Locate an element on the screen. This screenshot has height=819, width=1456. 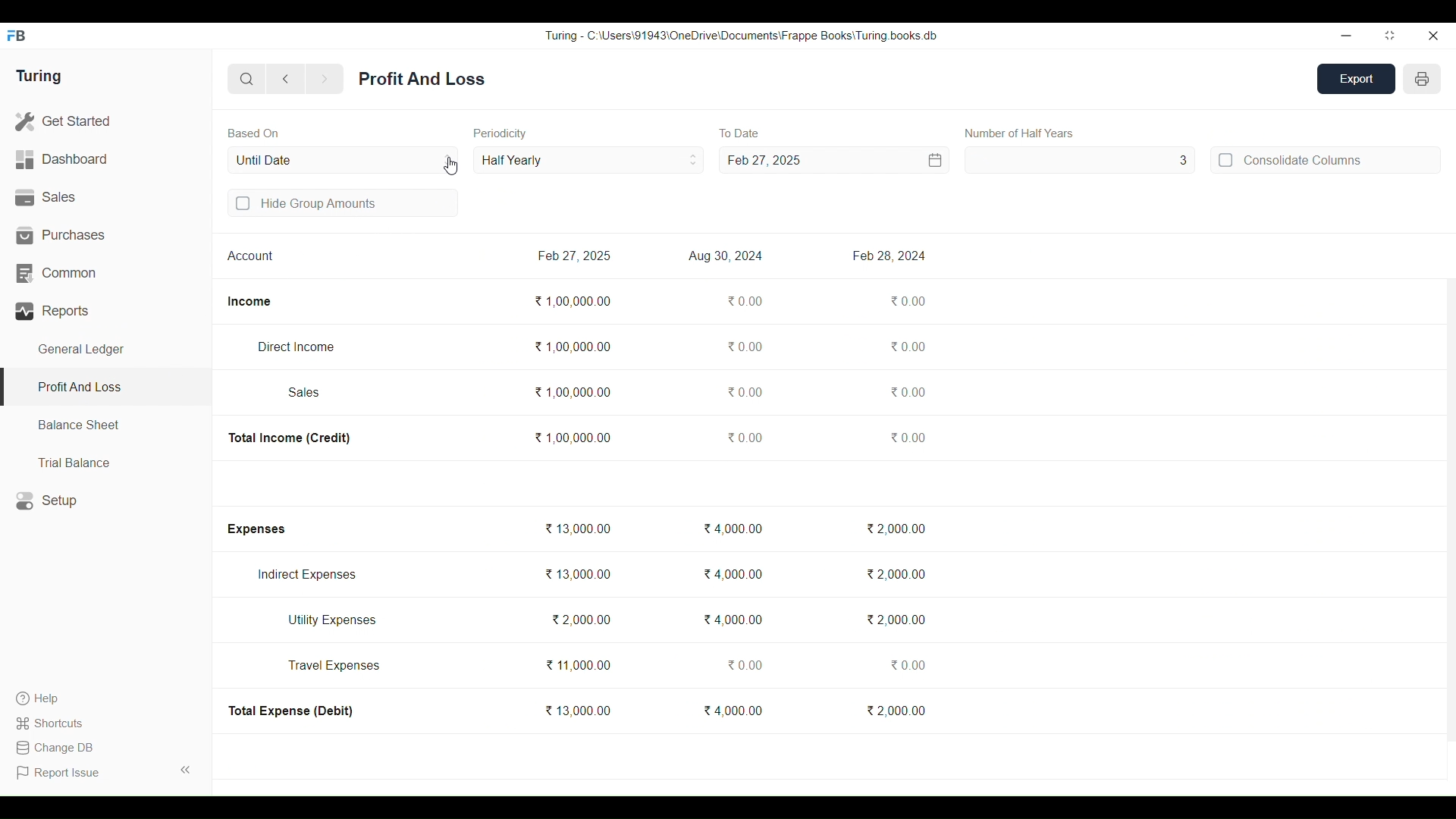
13,000.00 is located at coordinates (577, 710).